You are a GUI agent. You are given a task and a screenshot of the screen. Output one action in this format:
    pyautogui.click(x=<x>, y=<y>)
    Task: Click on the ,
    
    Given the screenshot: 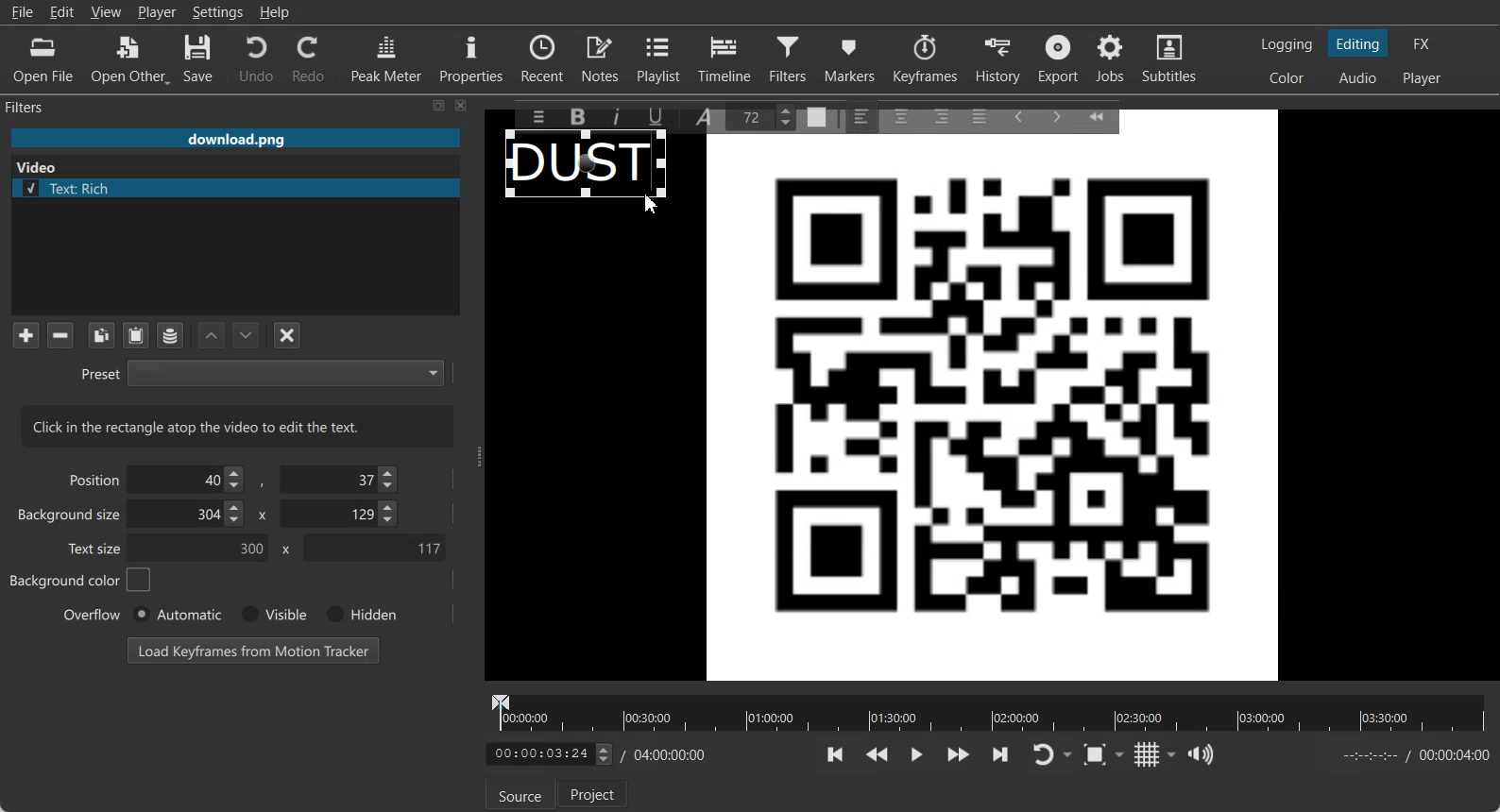 What is the action you would take?
    pyautogui.click(x=264, y=483)
    